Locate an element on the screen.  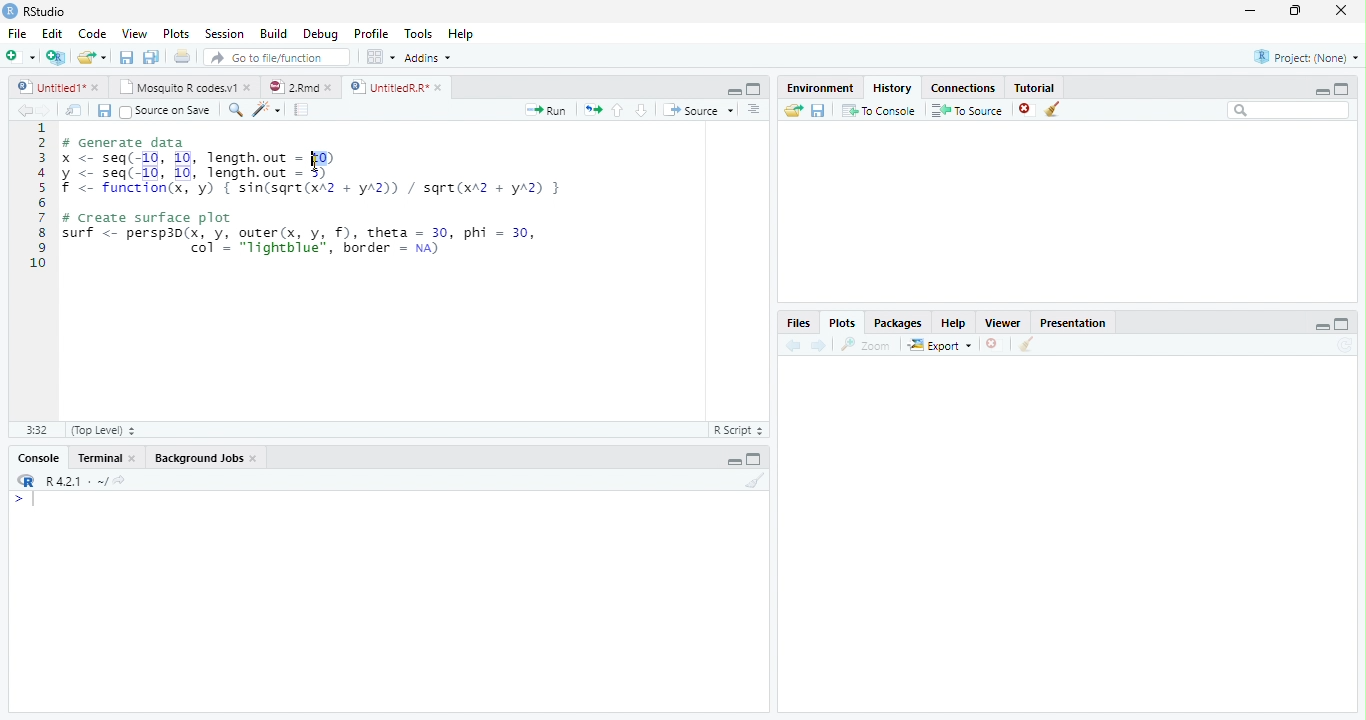
Build is located at coordinates (273, 33).